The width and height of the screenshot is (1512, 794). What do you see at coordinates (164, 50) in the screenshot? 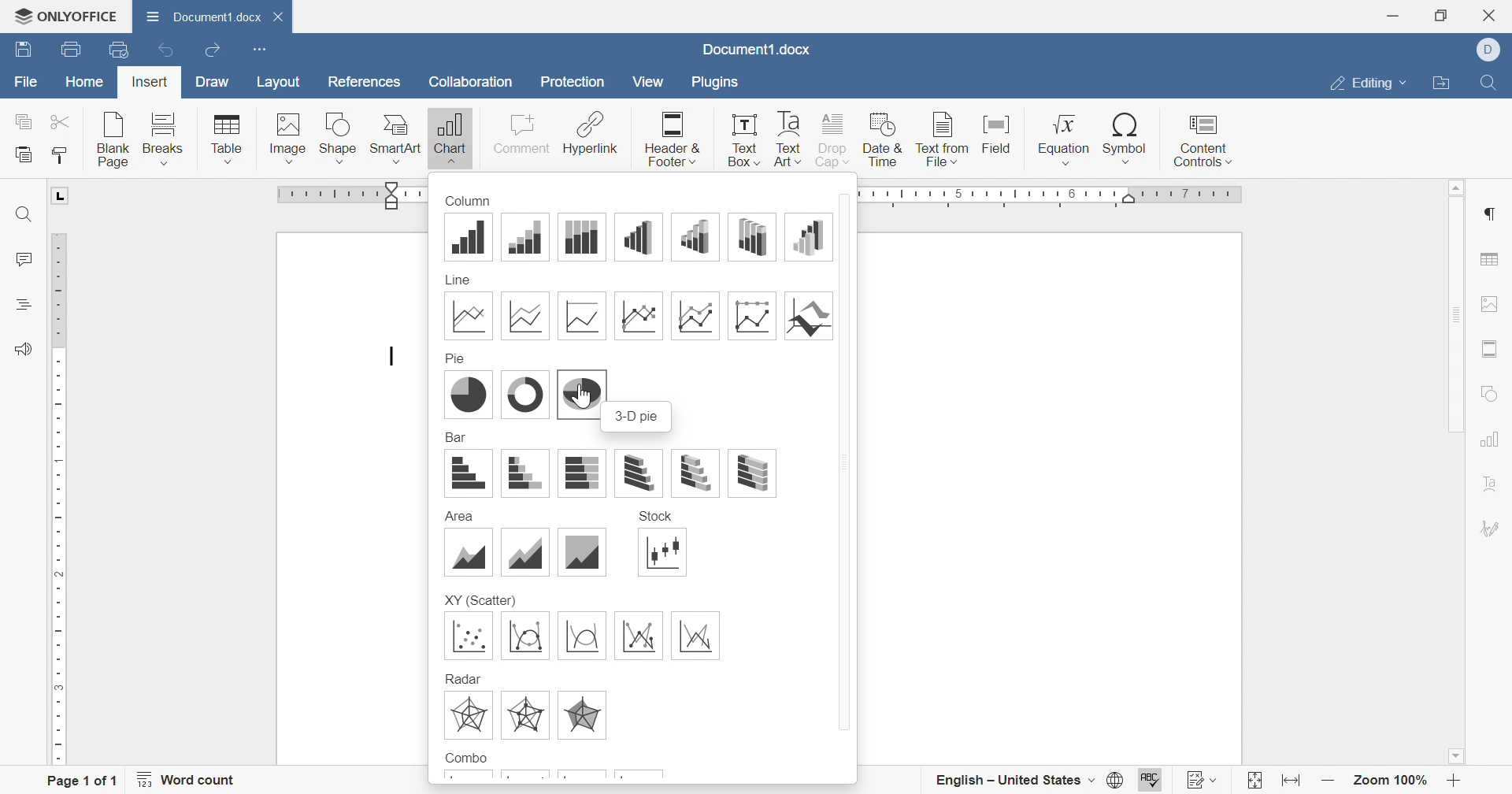
I see `Undo` at bounding box center [164, 50].